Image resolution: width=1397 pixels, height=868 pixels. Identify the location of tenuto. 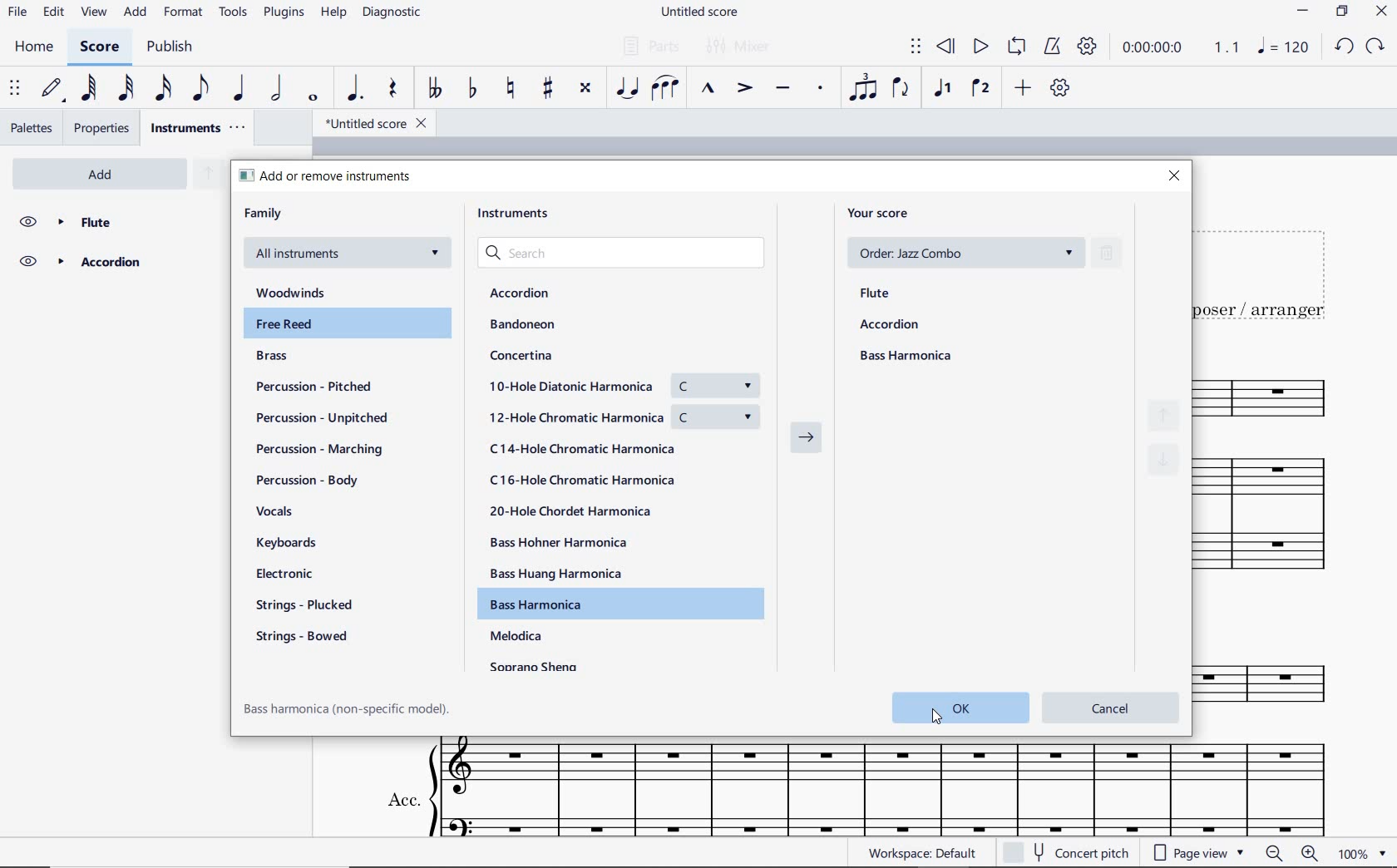
(782, 89).